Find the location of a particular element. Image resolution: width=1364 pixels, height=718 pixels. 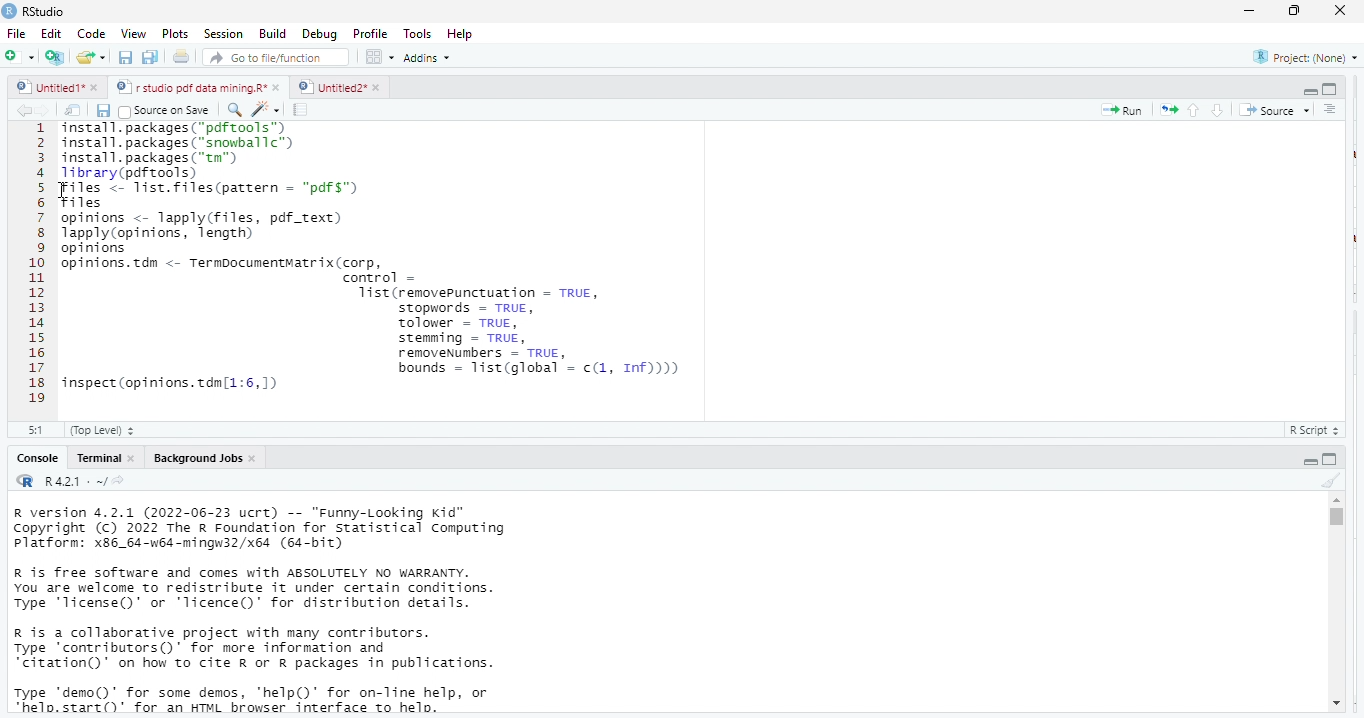

create a project is located at coordinates (53, 57).